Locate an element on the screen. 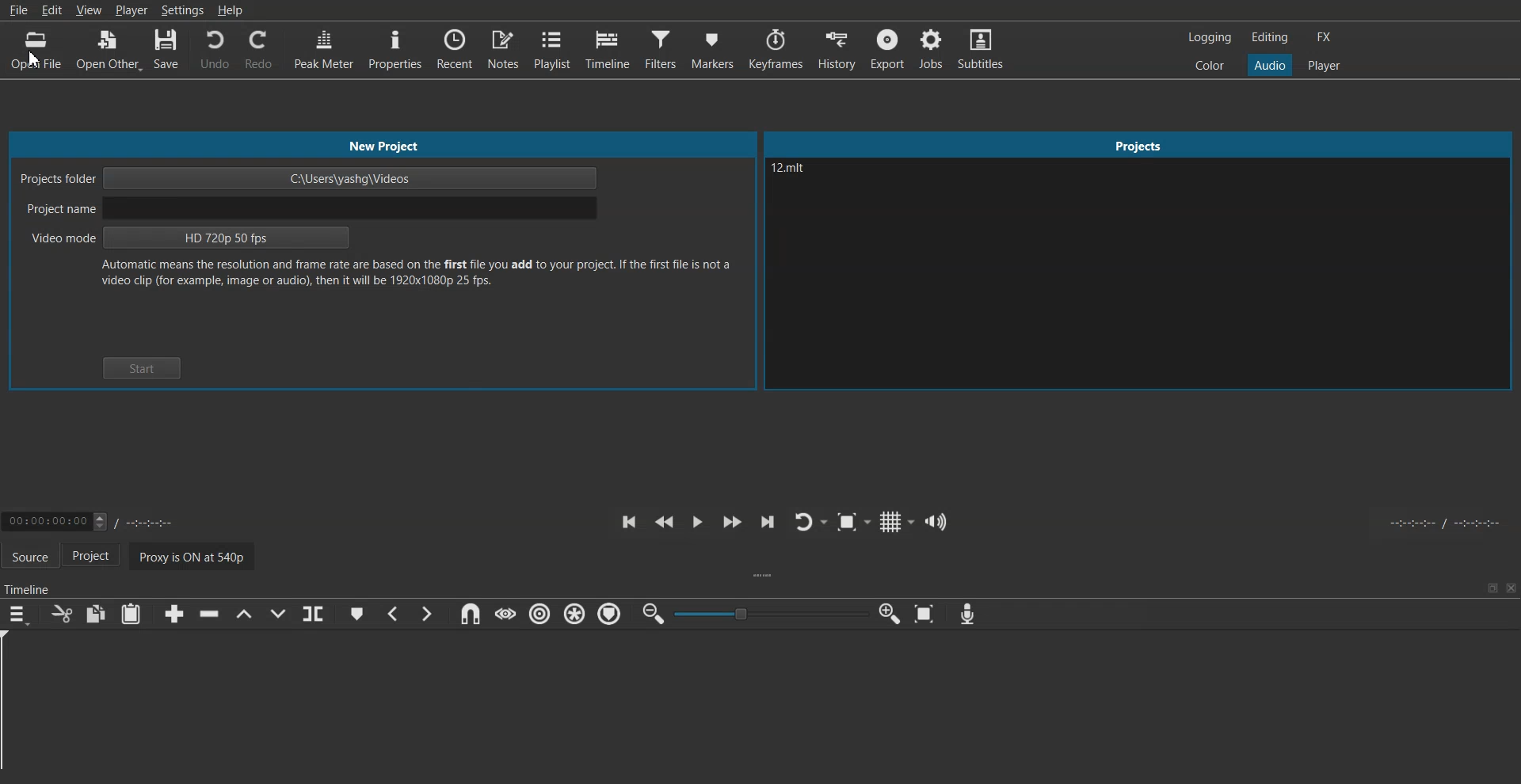 The width and height of the screenshot is (1521, 784). Redo is located at coordinates (259, 50).